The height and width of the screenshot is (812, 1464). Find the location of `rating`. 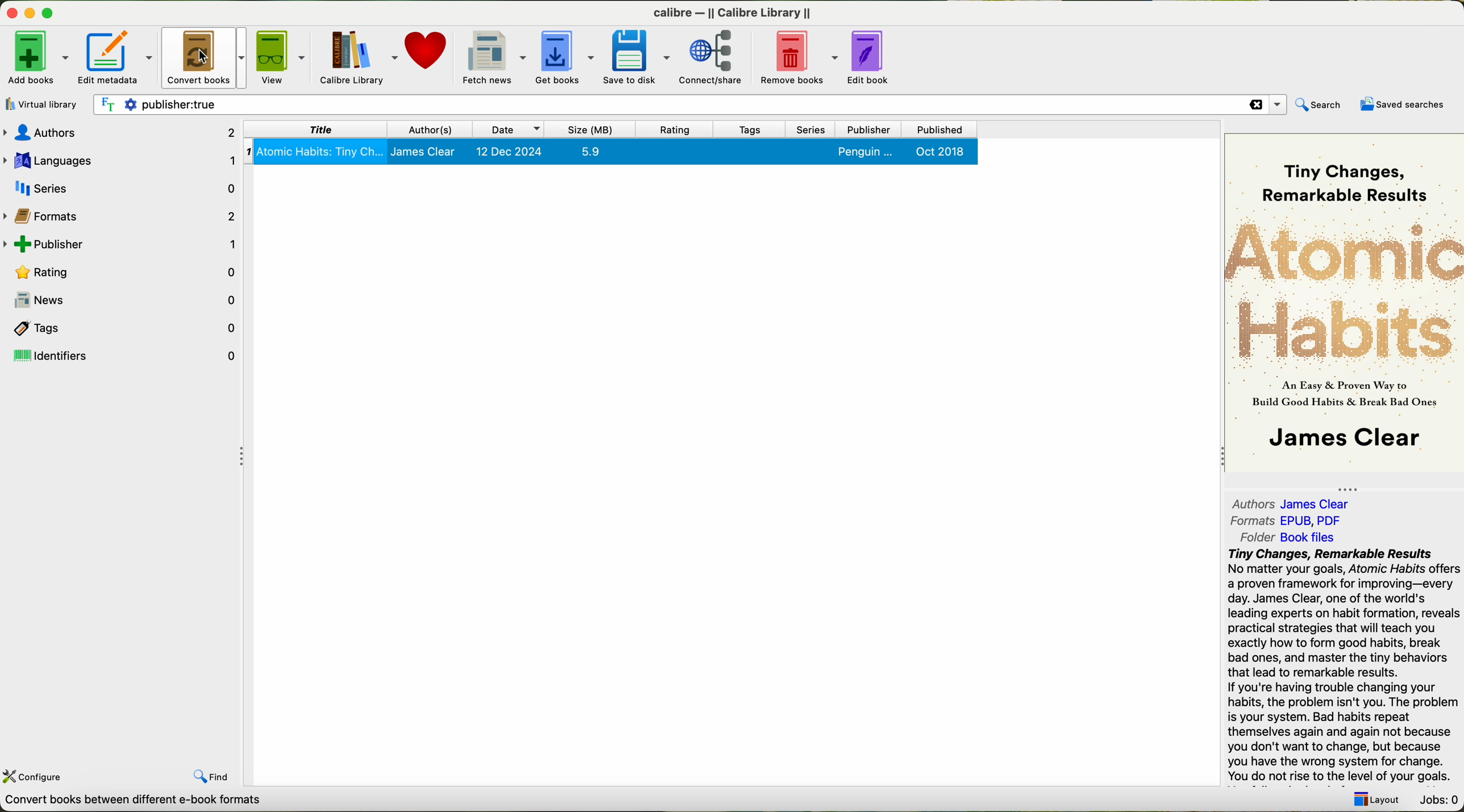

rating is located at coordinates (673, 129).